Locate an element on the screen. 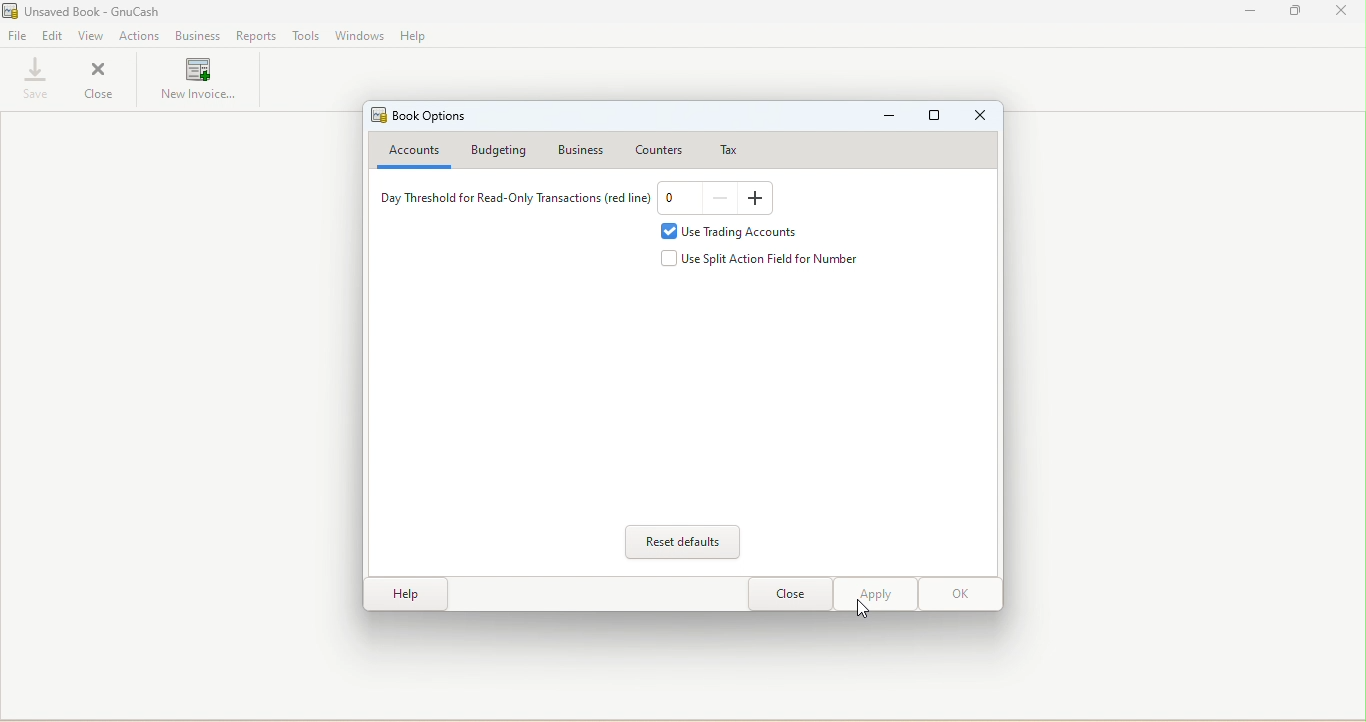 This screenshot has height=722, width=1366. Day threshold for Read-only transactions (red line) is located at coordinates (511, 201).